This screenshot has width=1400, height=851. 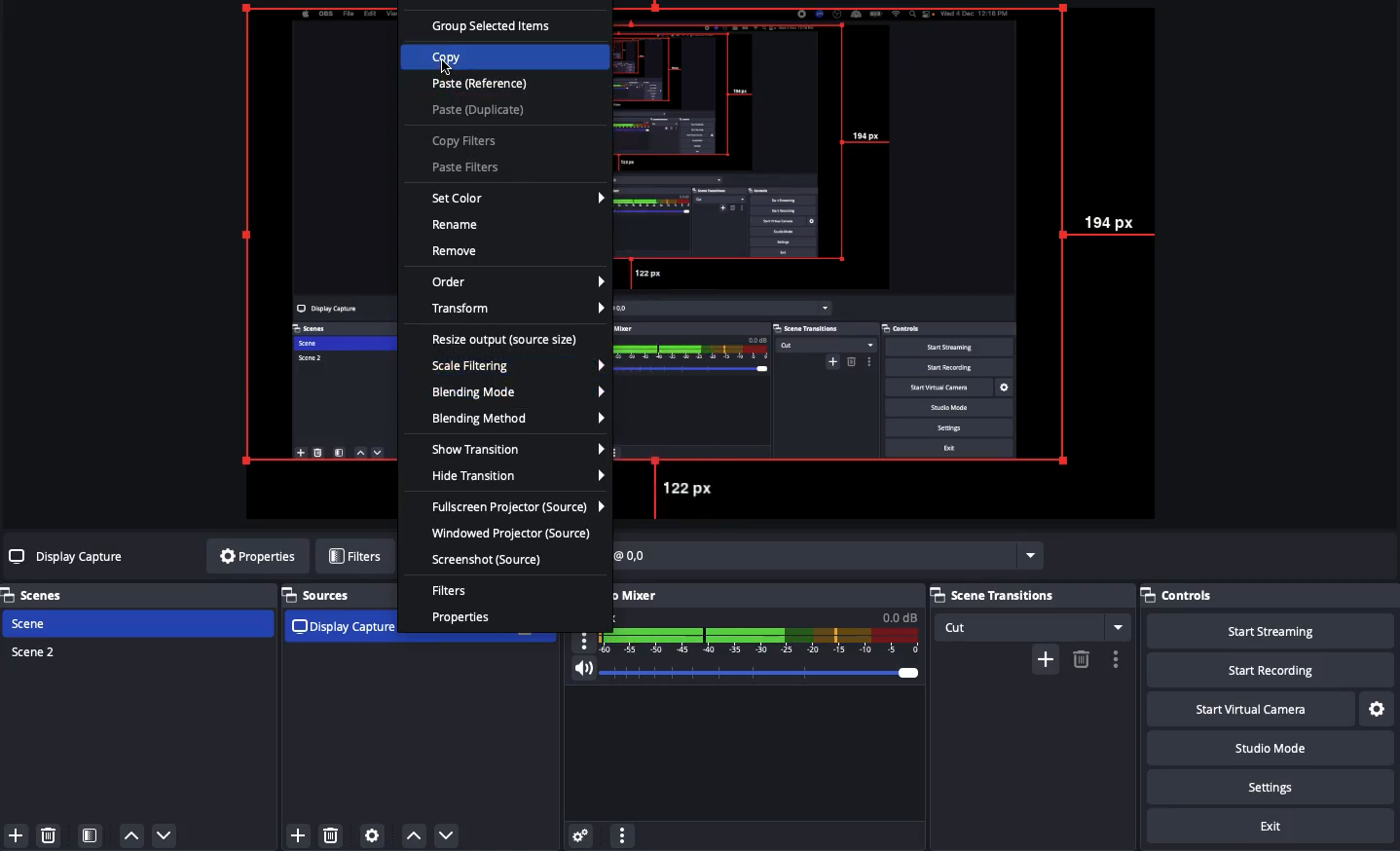 What do you see at coordinates (166, 836) in the screenshot?
I see `Move down` at bounding box center [166, 836].